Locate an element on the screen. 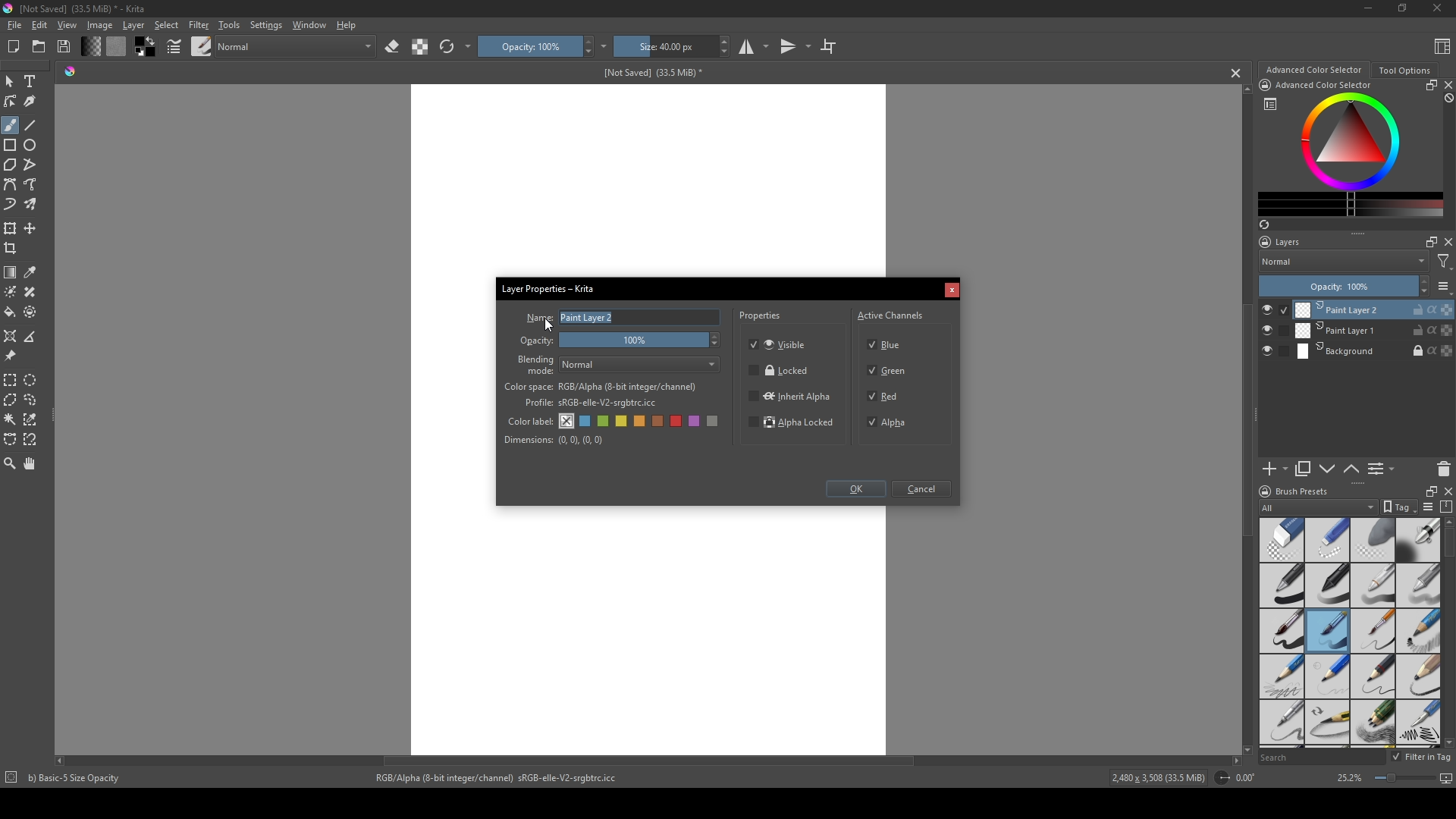 This screenshot has height=819, width=1456. Tool Options is located at coordinates (1404, 71).